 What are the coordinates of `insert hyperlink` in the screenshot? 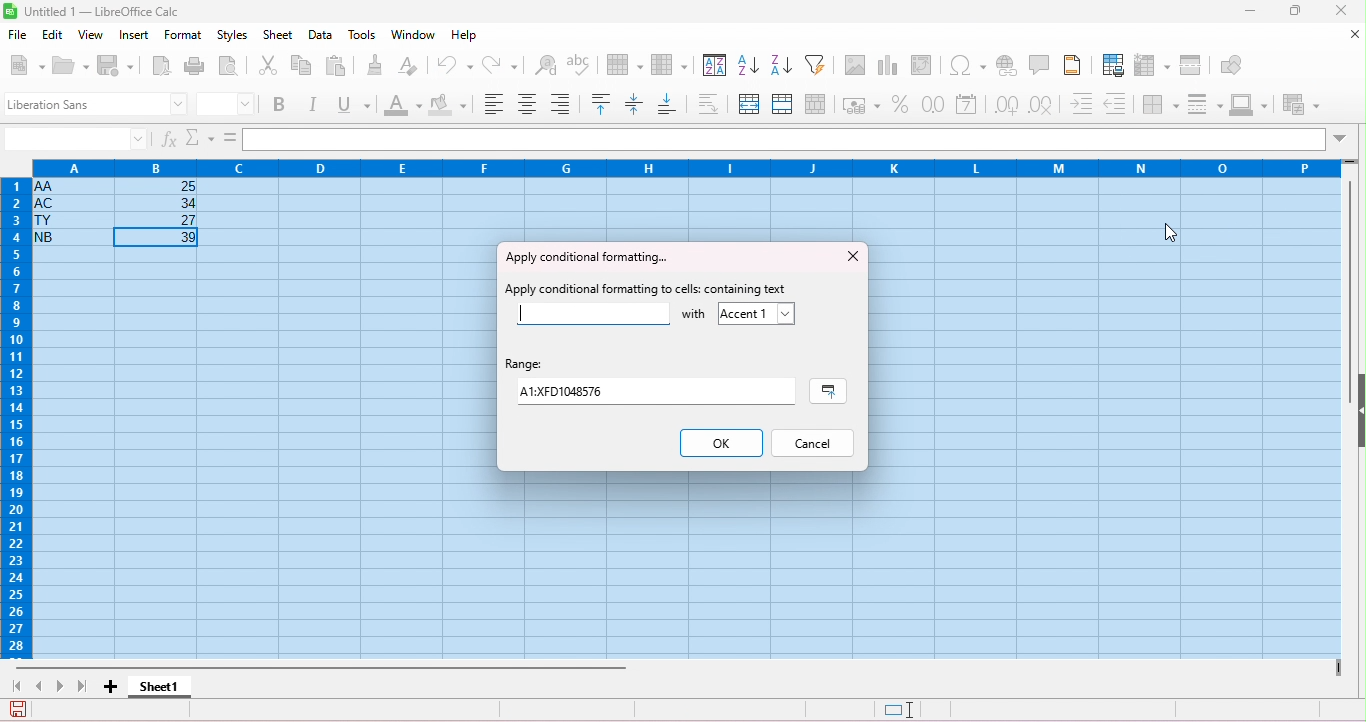 It's located at (1007, 65).